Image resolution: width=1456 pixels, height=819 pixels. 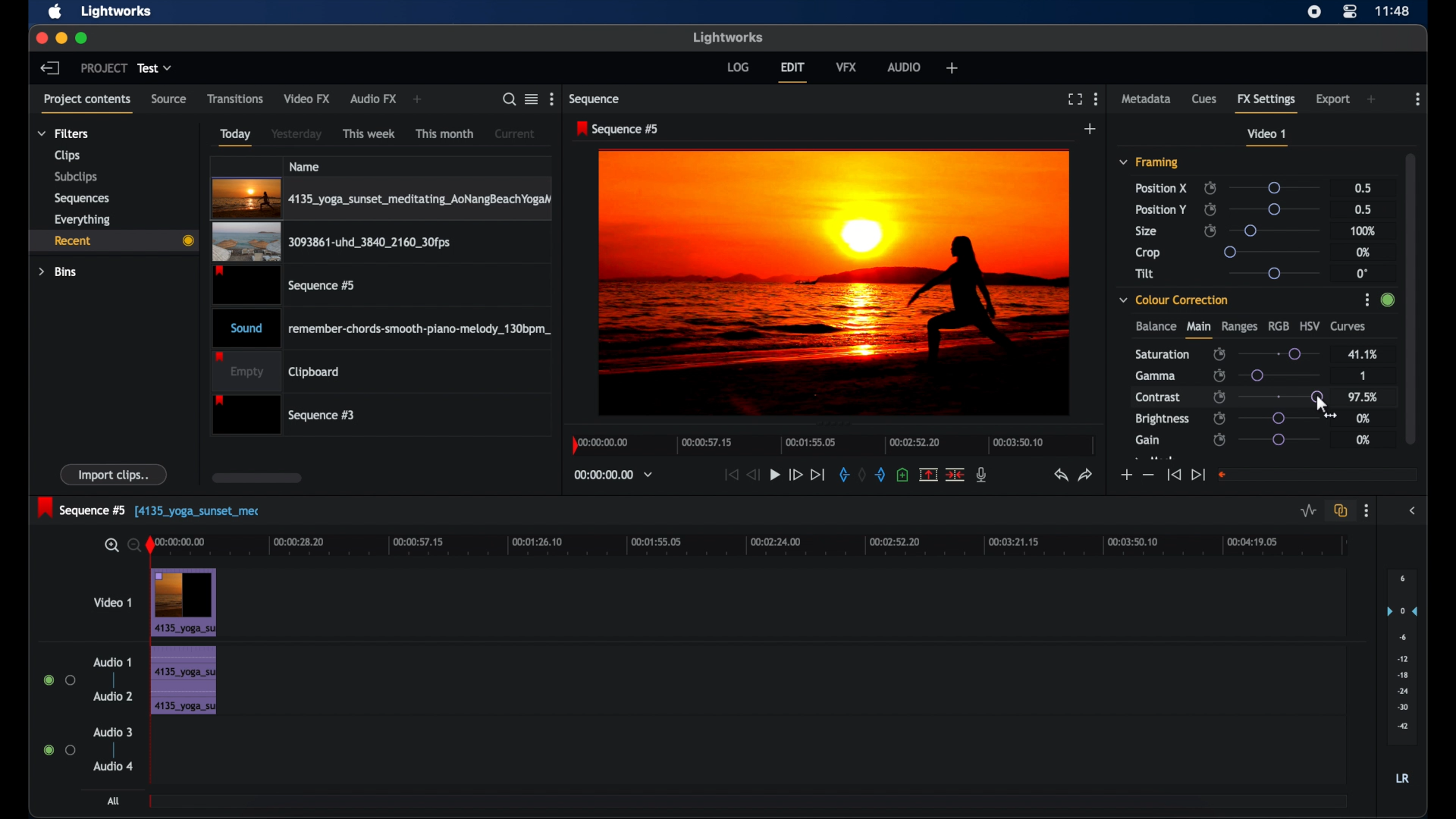 I want to click on audio, so click(x=905, y=67).